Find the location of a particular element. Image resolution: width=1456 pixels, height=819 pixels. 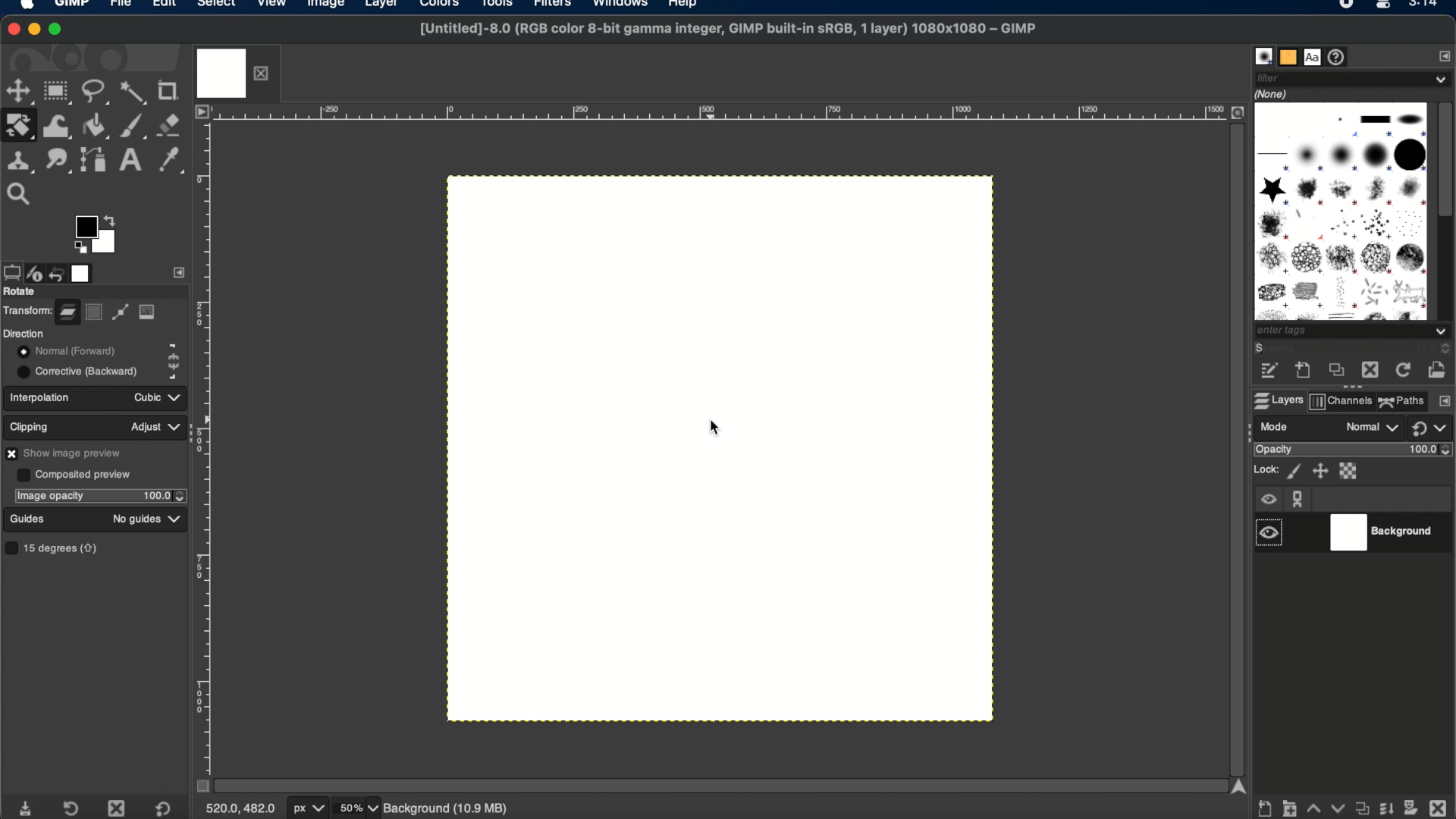

normal drop down is located at coordinates (1370, 428).